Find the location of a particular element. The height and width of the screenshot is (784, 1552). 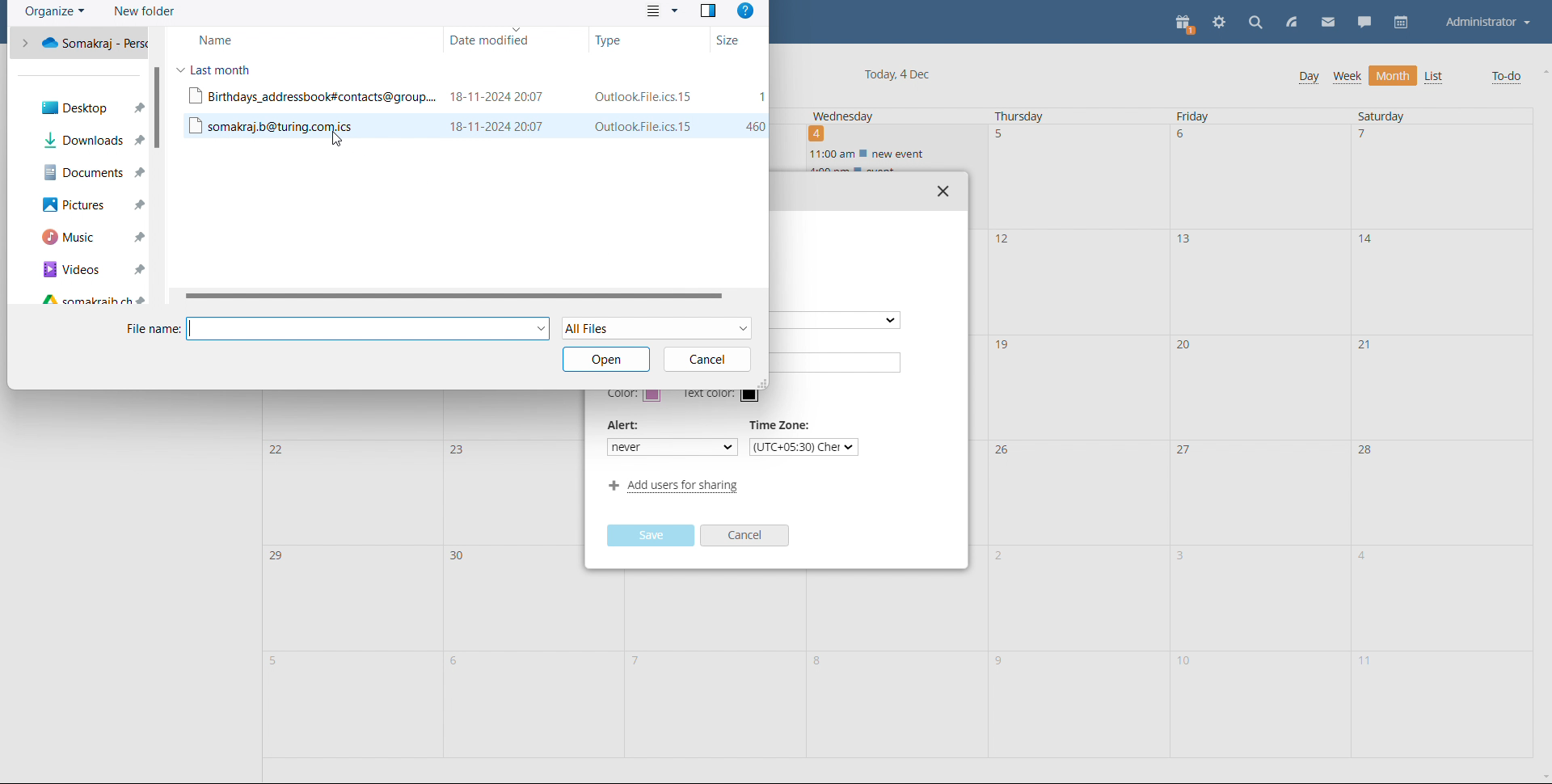

pictures is located at coordinates (91, 205).